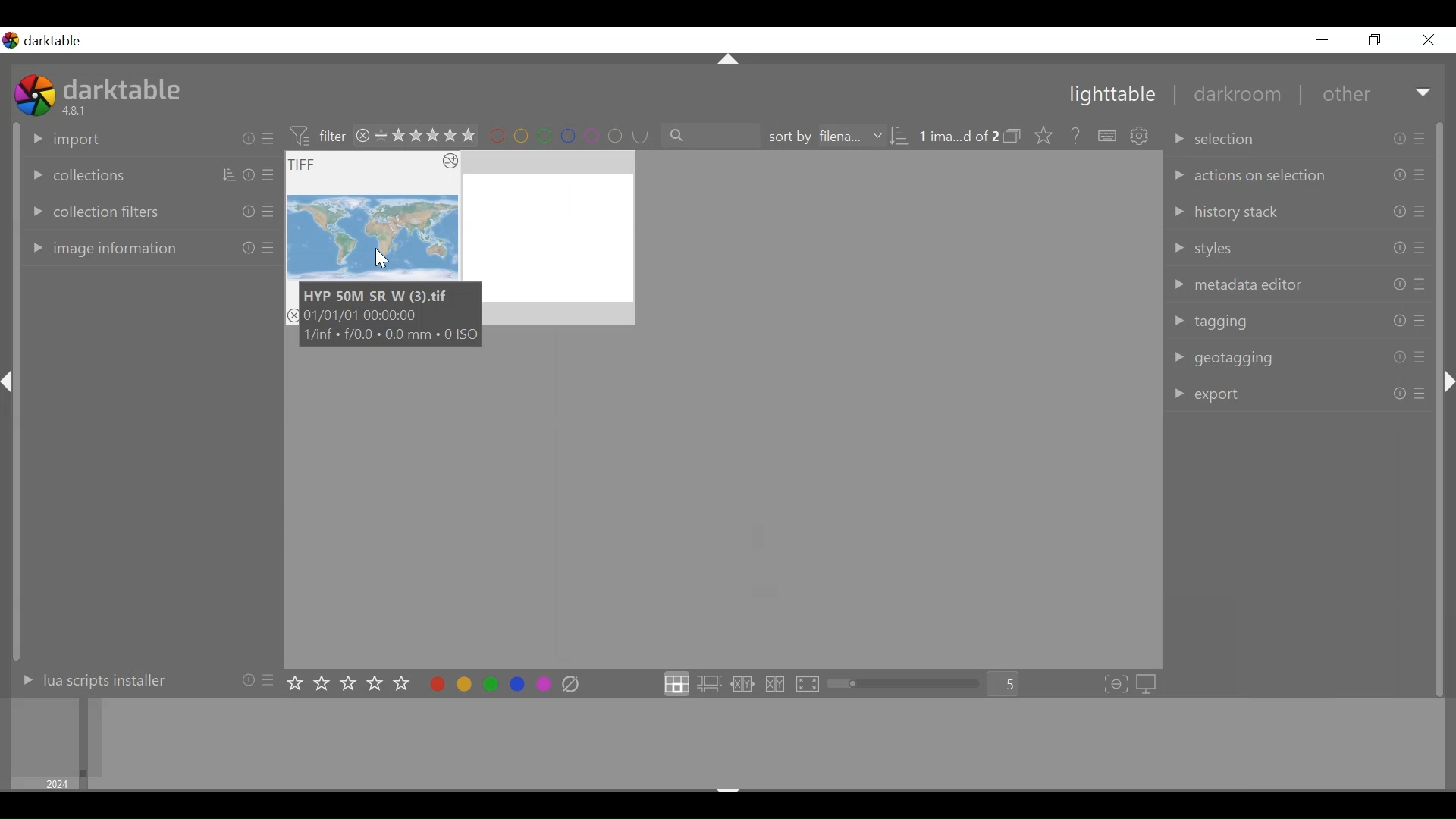  Describe the element at coordinates (776, 685) in the screenshot. I see `click to enter culling layout in dynamic mode` at that location.